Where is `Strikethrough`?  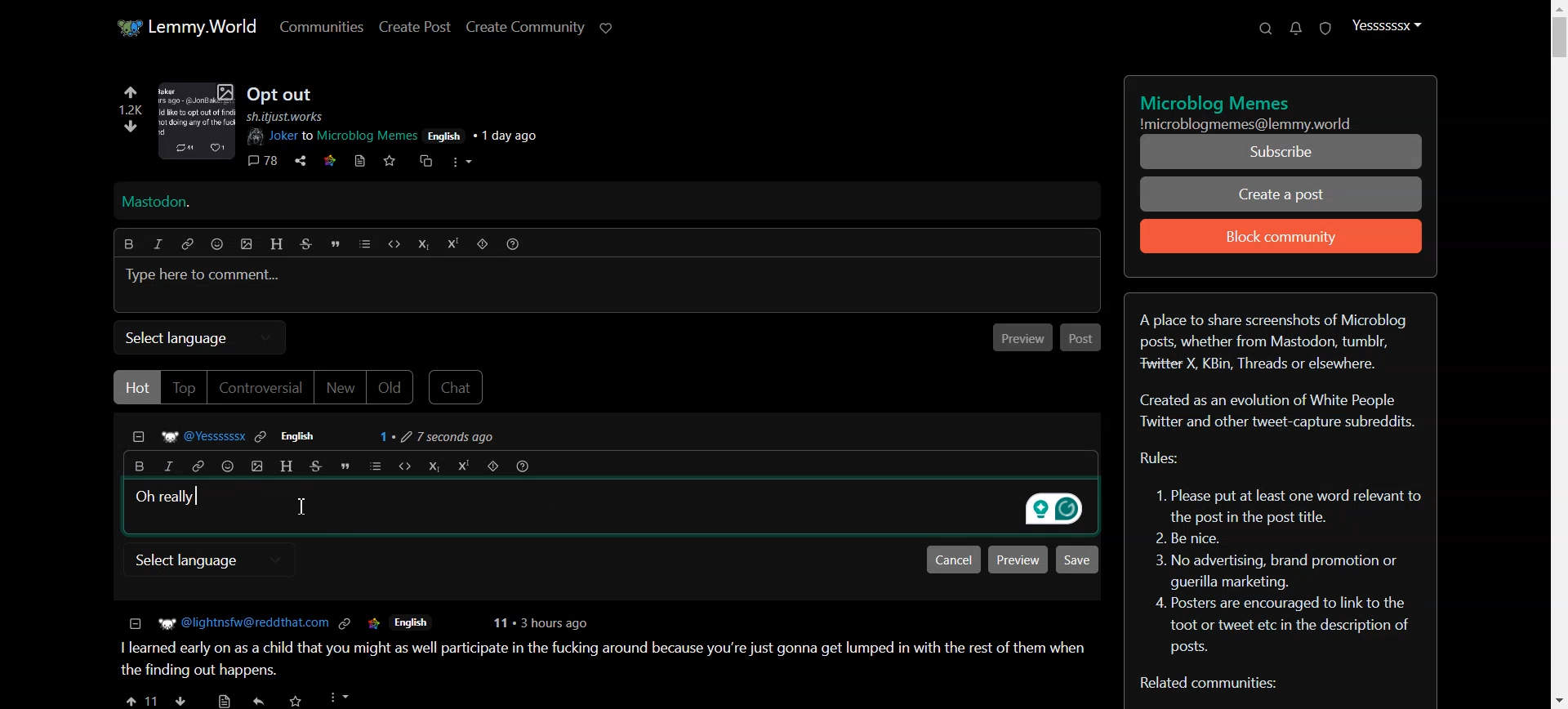
Strikethrough is located at coordinates (305, 243).